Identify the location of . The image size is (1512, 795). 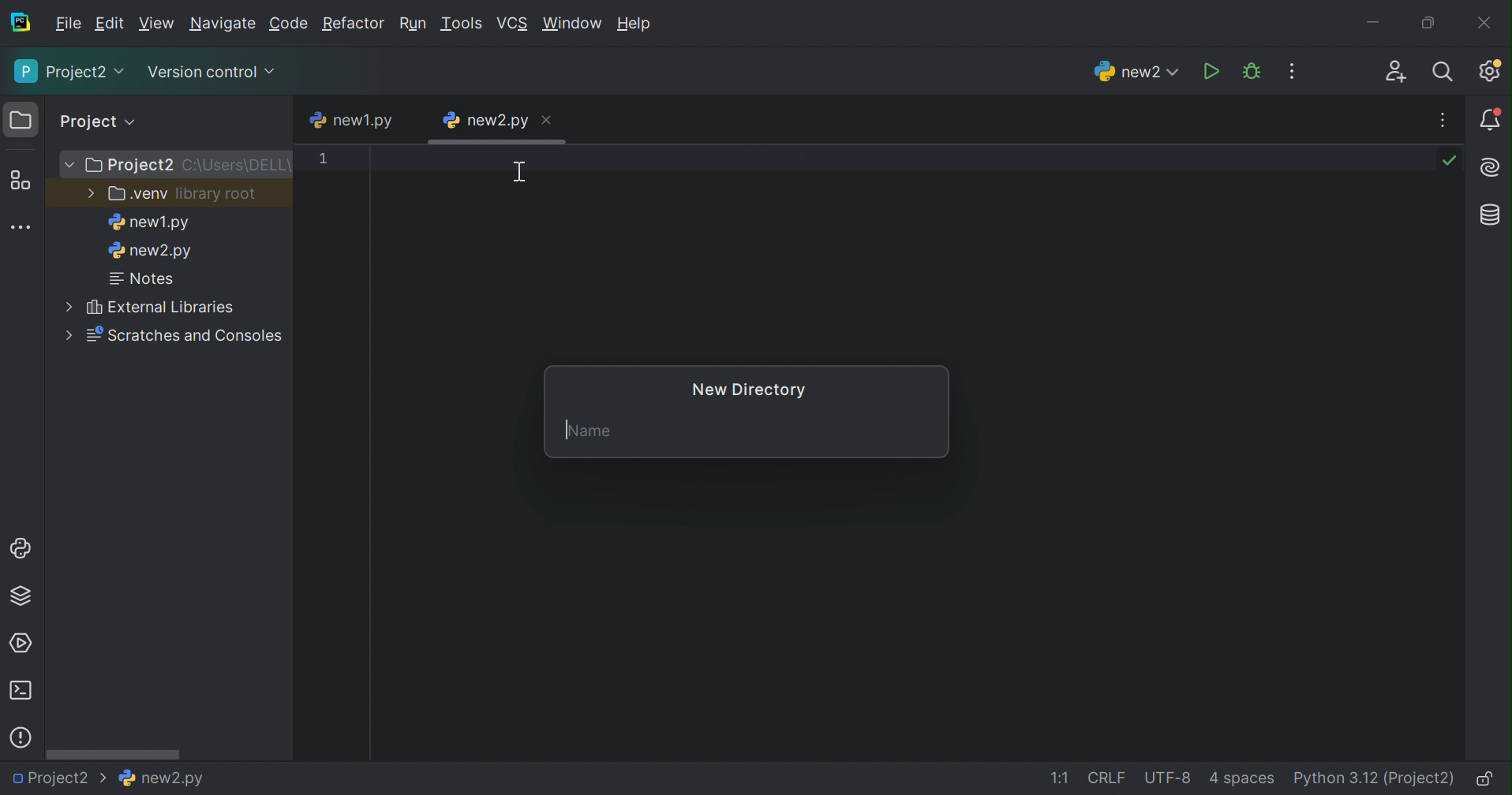
(159, 778).